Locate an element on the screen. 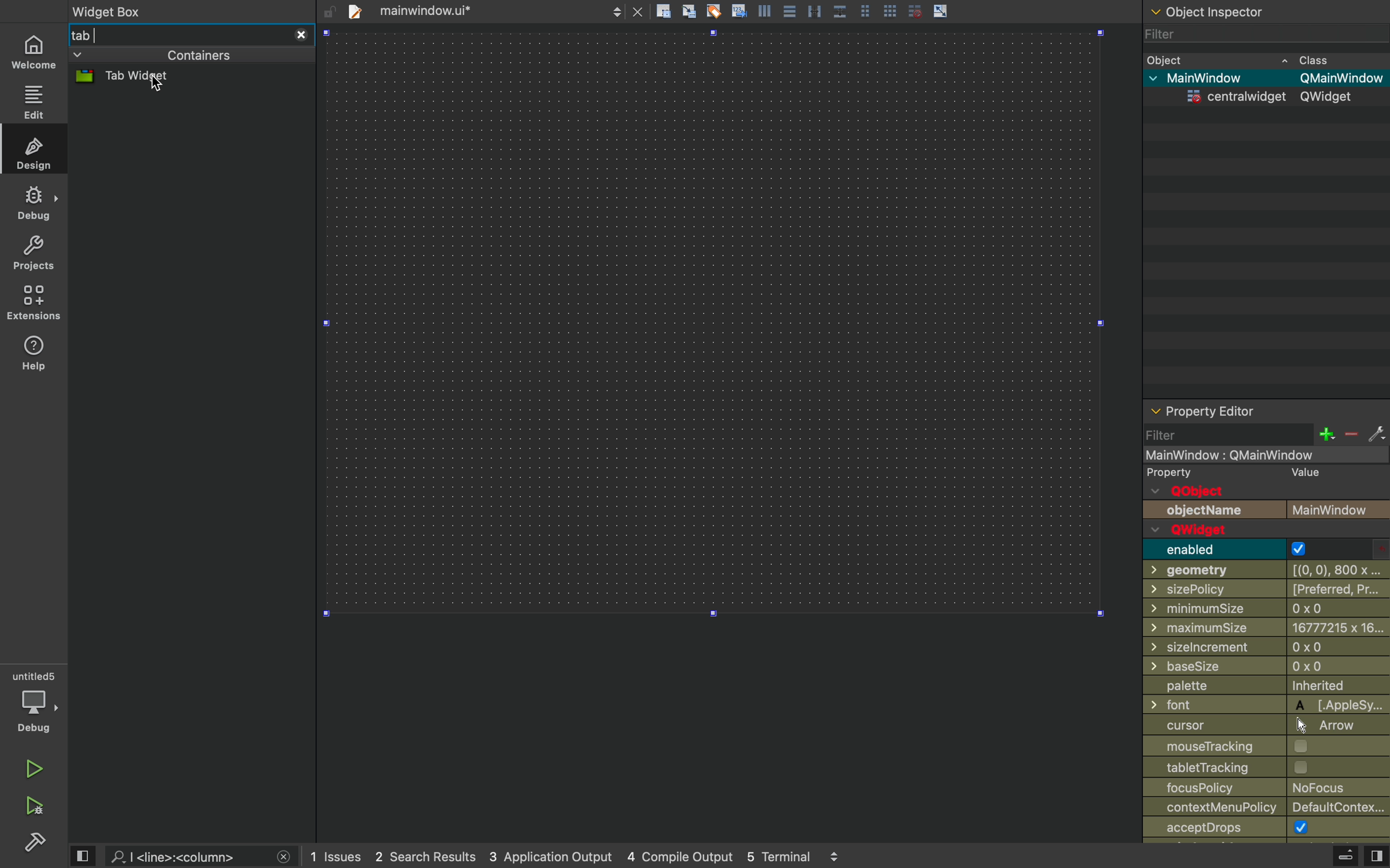 This screenshot has height=868, width=1390. palette is located at coordinates (1262, 688).